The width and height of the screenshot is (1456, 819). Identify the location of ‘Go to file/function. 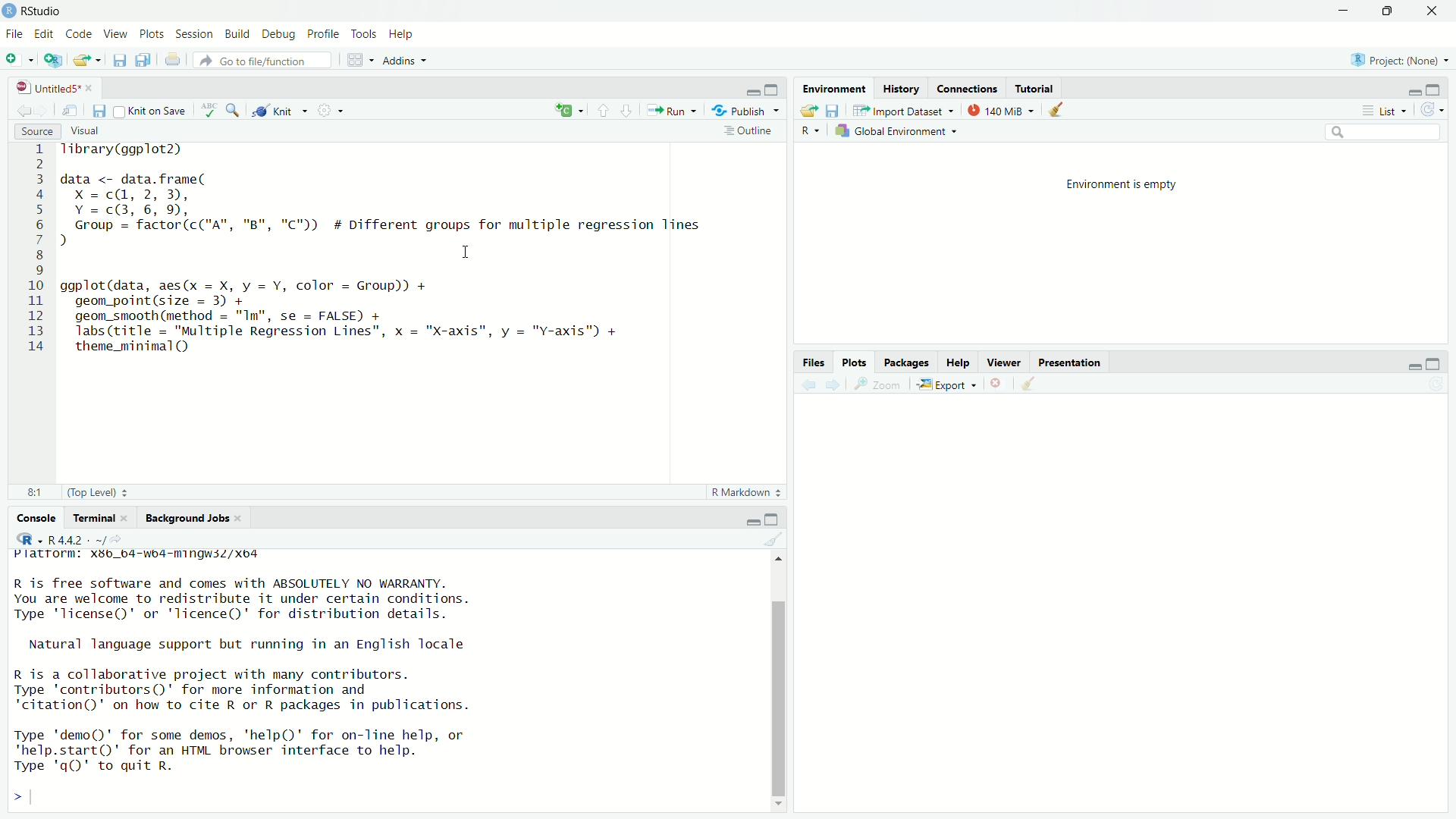
(259, 61).